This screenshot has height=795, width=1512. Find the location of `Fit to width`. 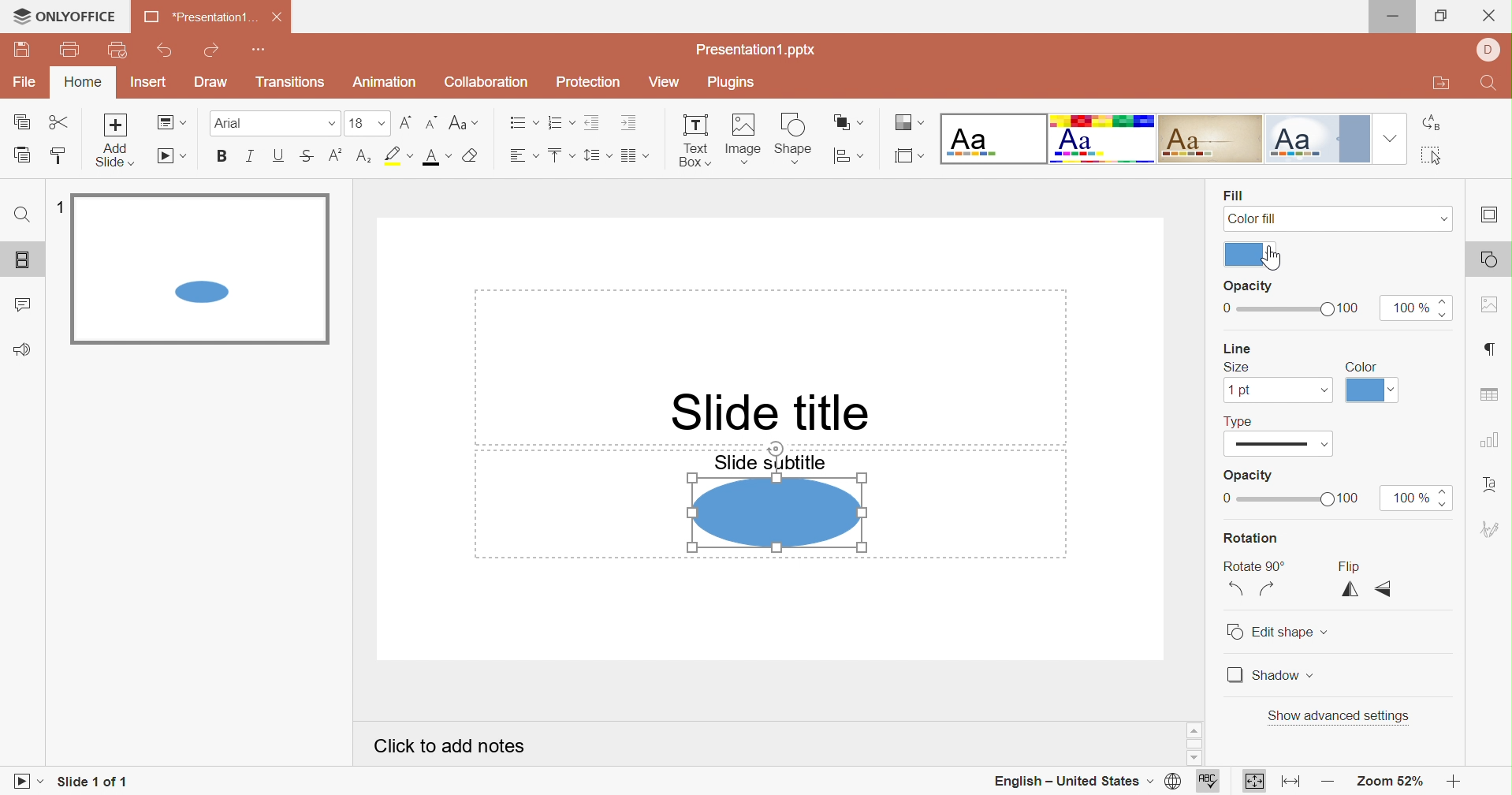

Fit to width is located at coordinates (1293, 784).